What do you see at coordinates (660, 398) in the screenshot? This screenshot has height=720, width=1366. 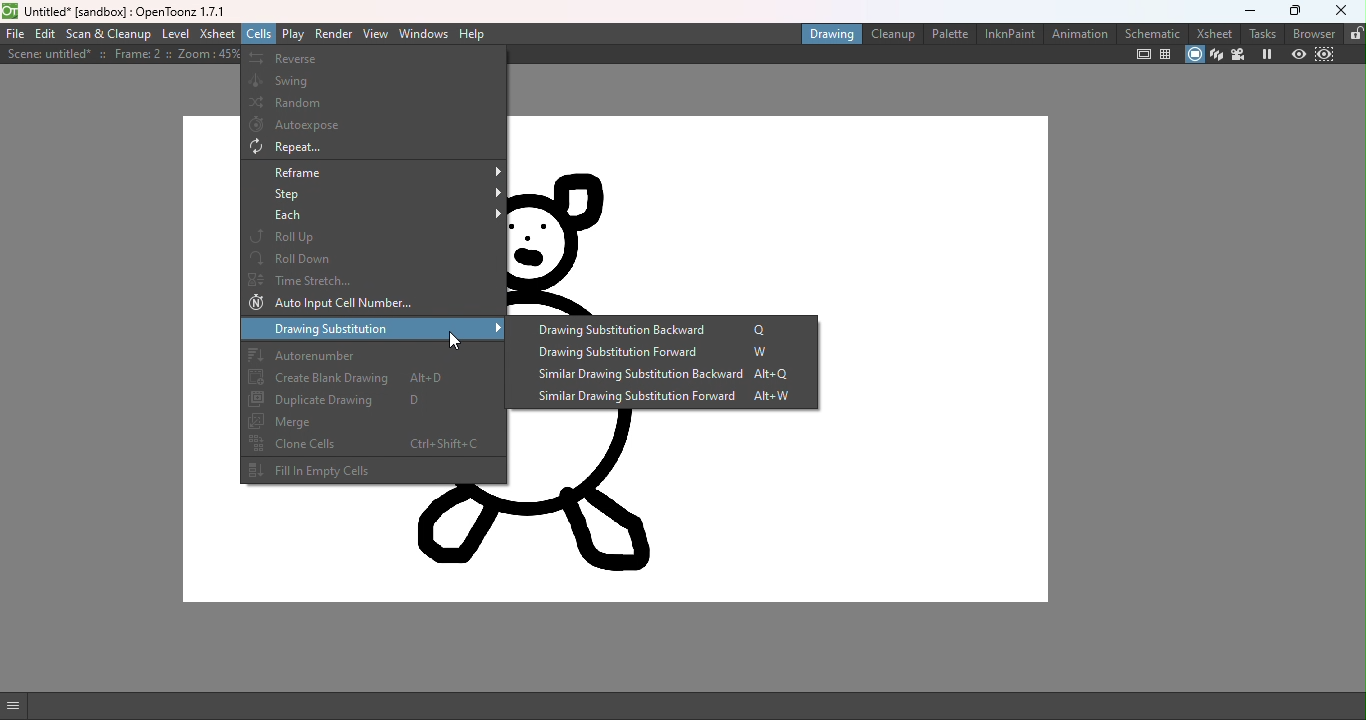 I see `Similar drawing substitution forward` at bounding box center [660, 398].